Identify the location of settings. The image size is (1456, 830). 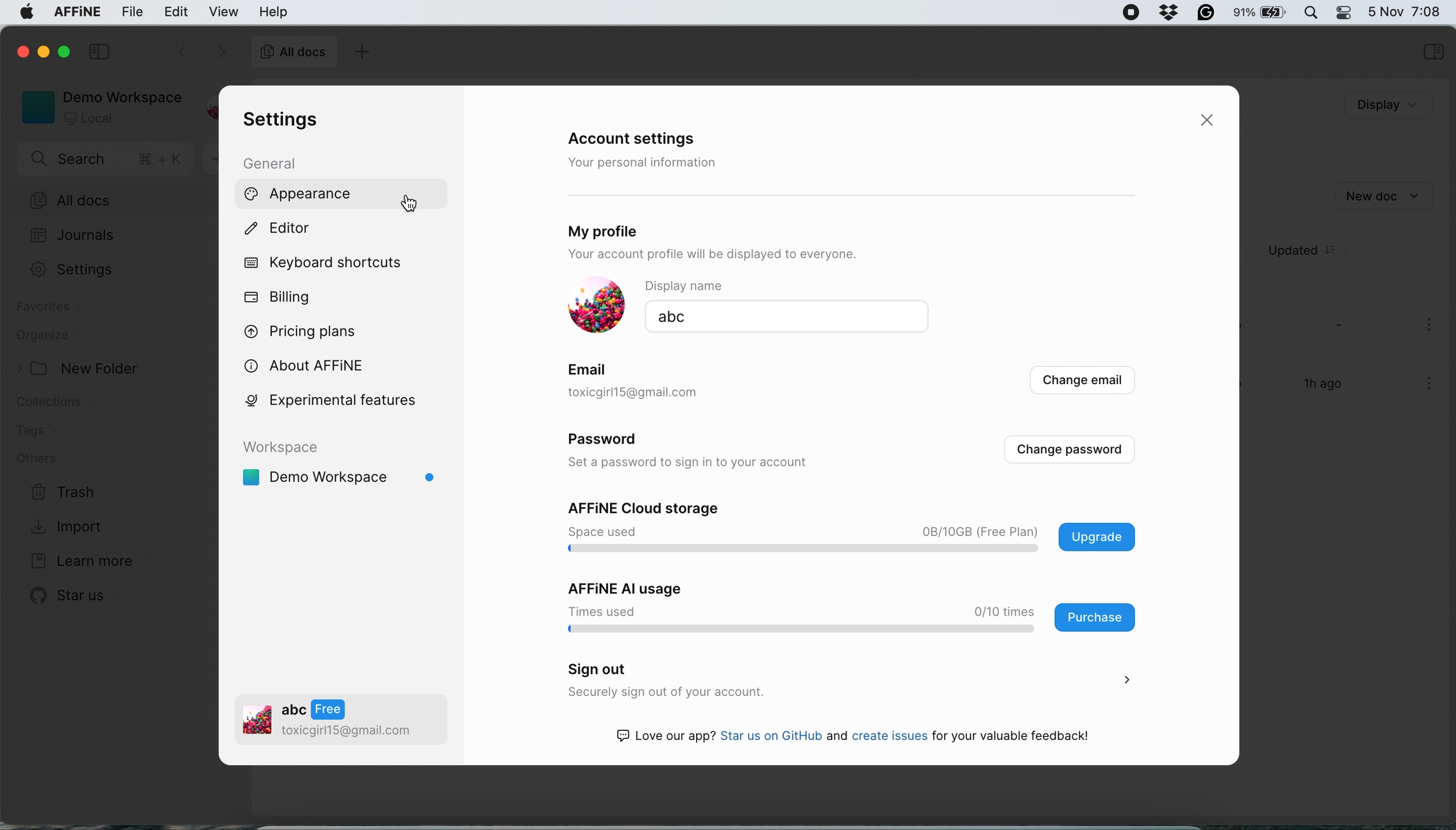
(70, 270).